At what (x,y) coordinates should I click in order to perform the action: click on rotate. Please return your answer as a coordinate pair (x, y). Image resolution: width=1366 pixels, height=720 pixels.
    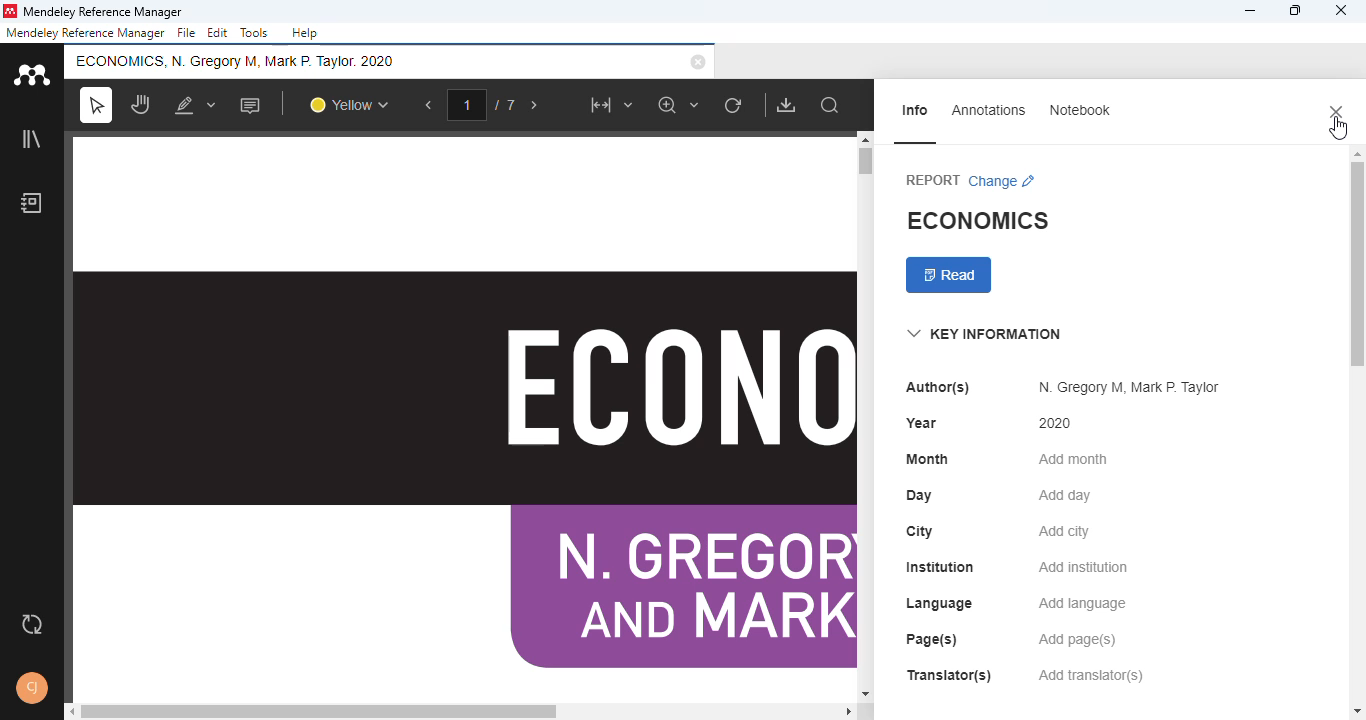
    Looking at the image, I should click on (735, 106).